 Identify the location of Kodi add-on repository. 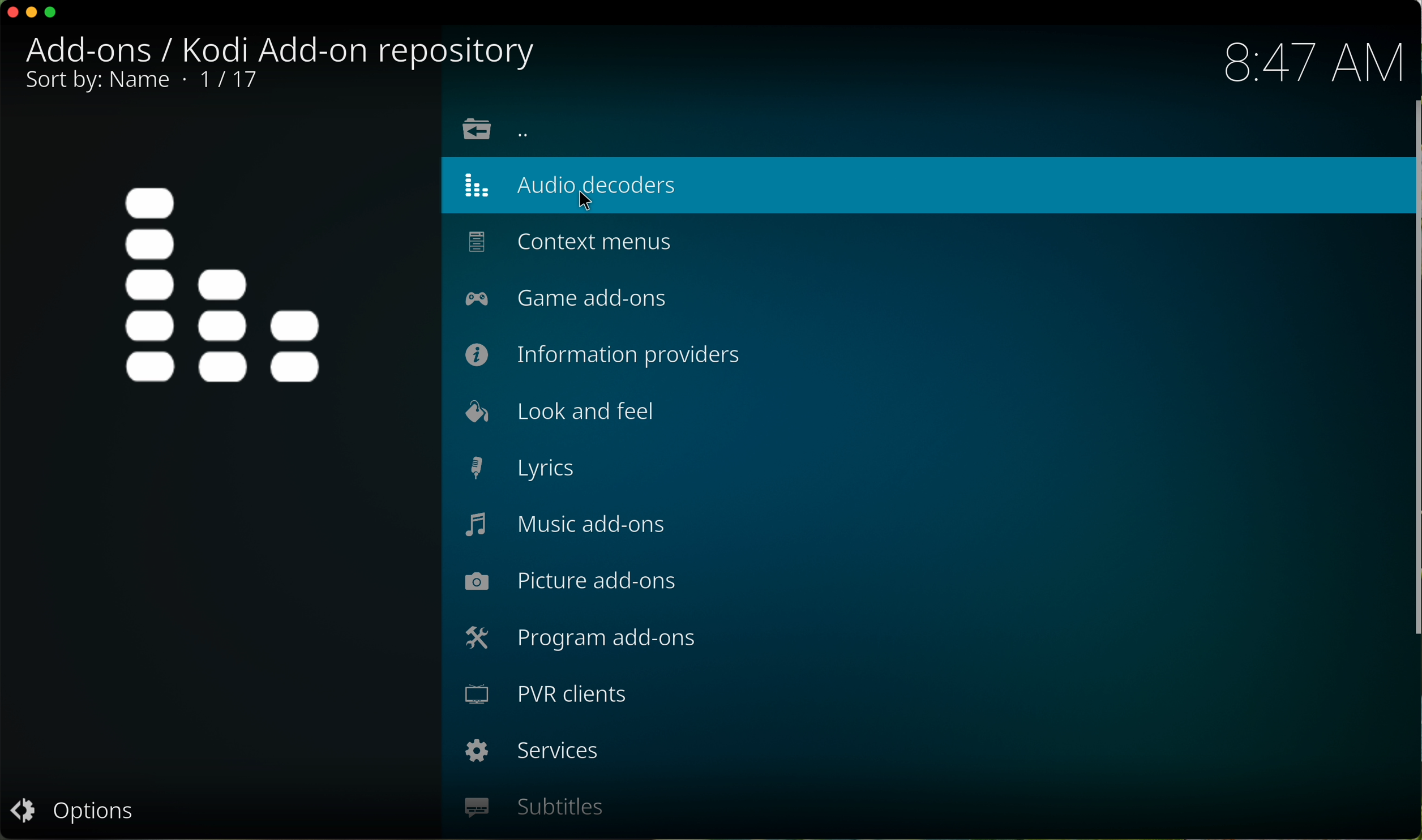
(286, 49).